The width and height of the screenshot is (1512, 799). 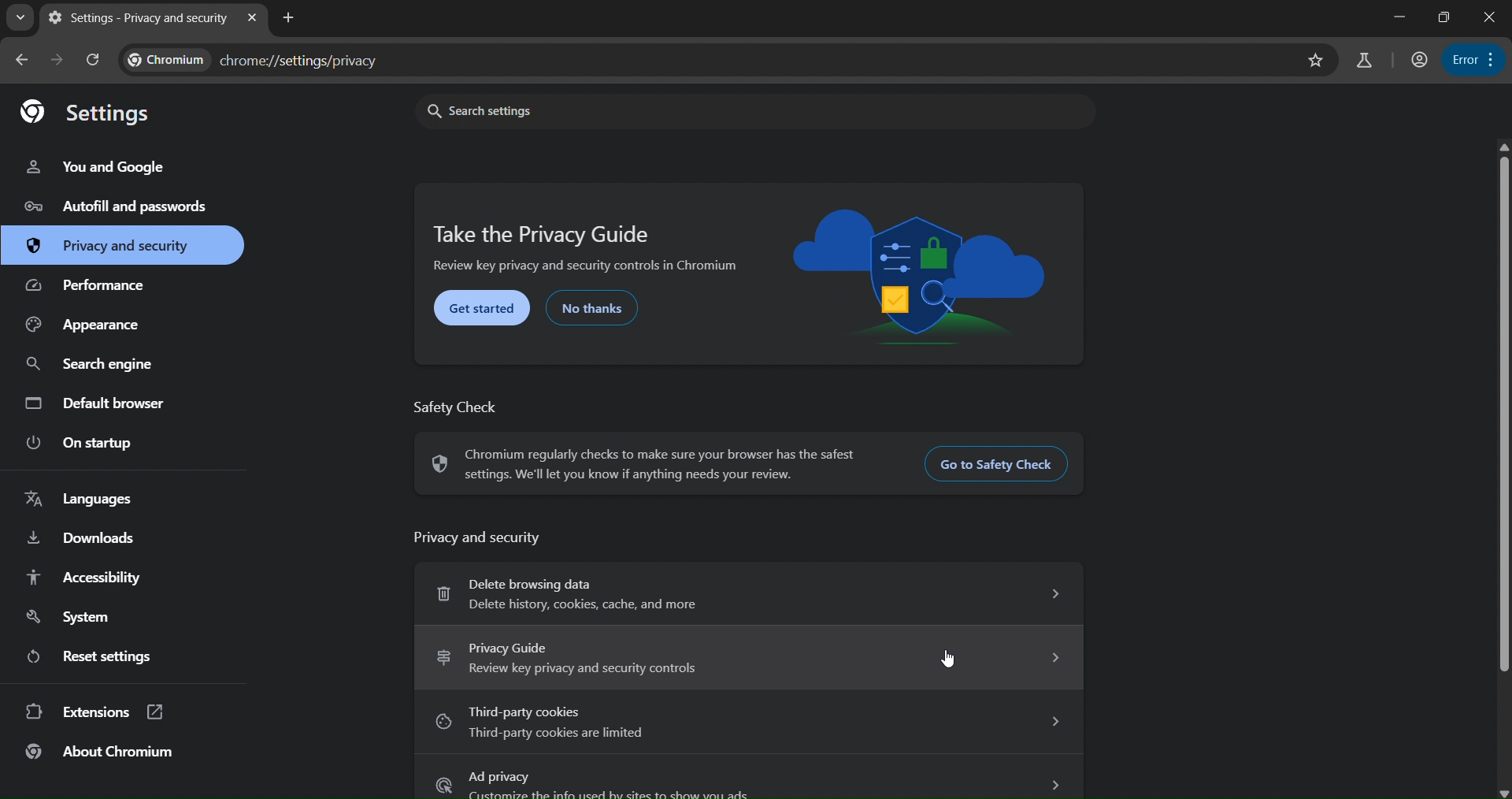 I want to click on search labs, so click(x=1366, y=61).